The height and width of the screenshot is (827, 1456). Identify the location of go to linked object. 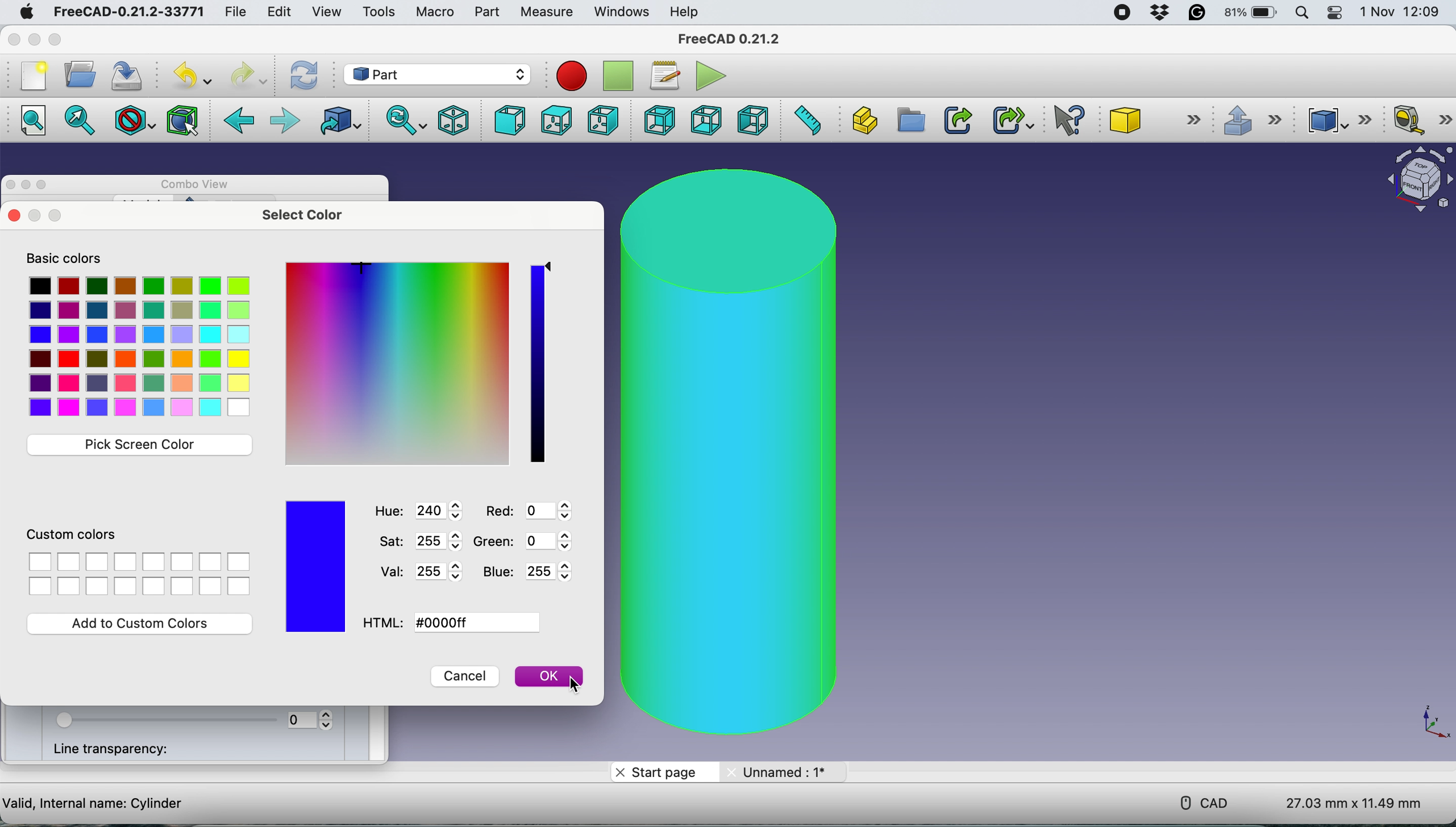
(343, 122).